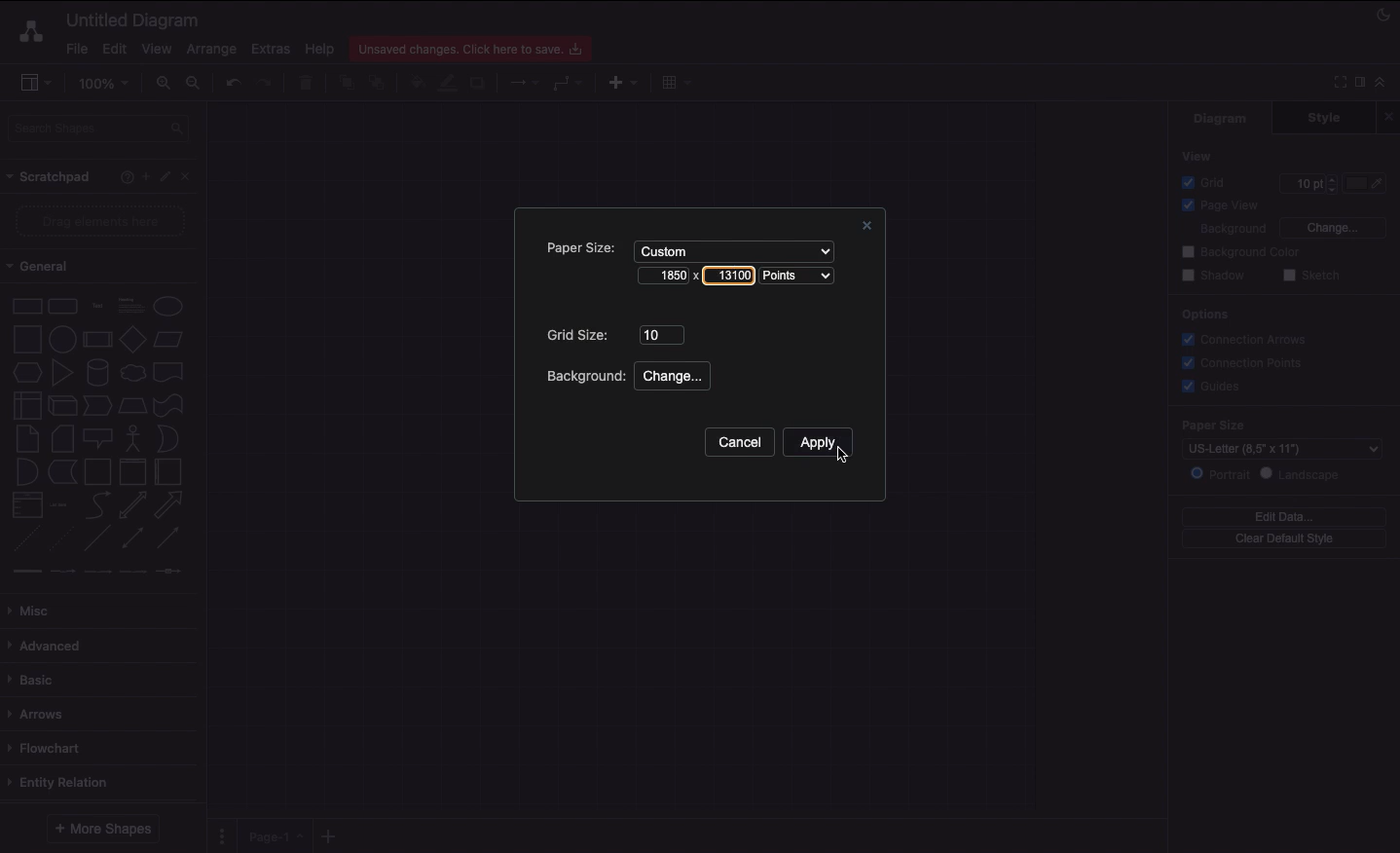  I want to click on Zoom in, so click(163, 84).